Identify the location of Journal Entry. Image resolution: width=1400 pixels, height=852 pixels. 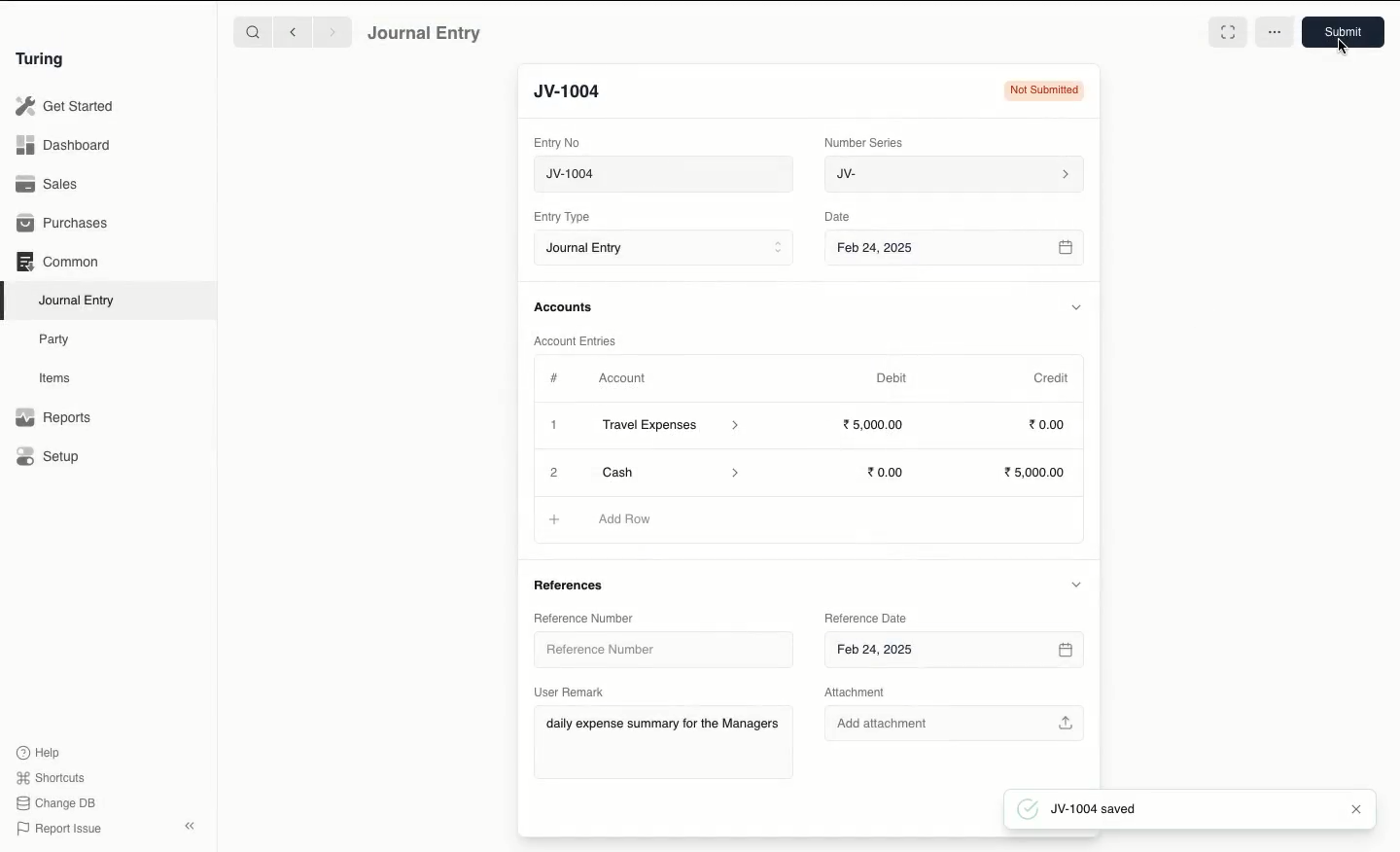
(426, 34).